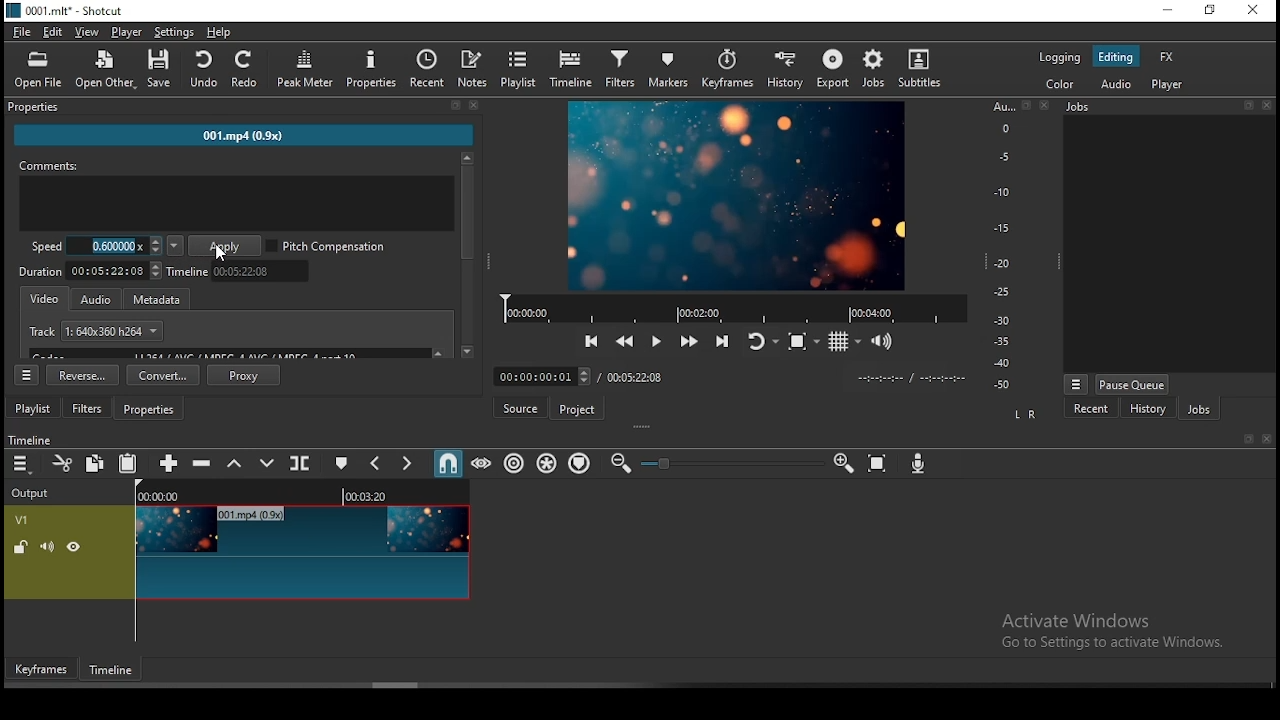 This screenshot has width=1280, height=720. What do you see at coordinates (87, 32) in the screenshot?
I see `view` at bounding box center [87, 32].